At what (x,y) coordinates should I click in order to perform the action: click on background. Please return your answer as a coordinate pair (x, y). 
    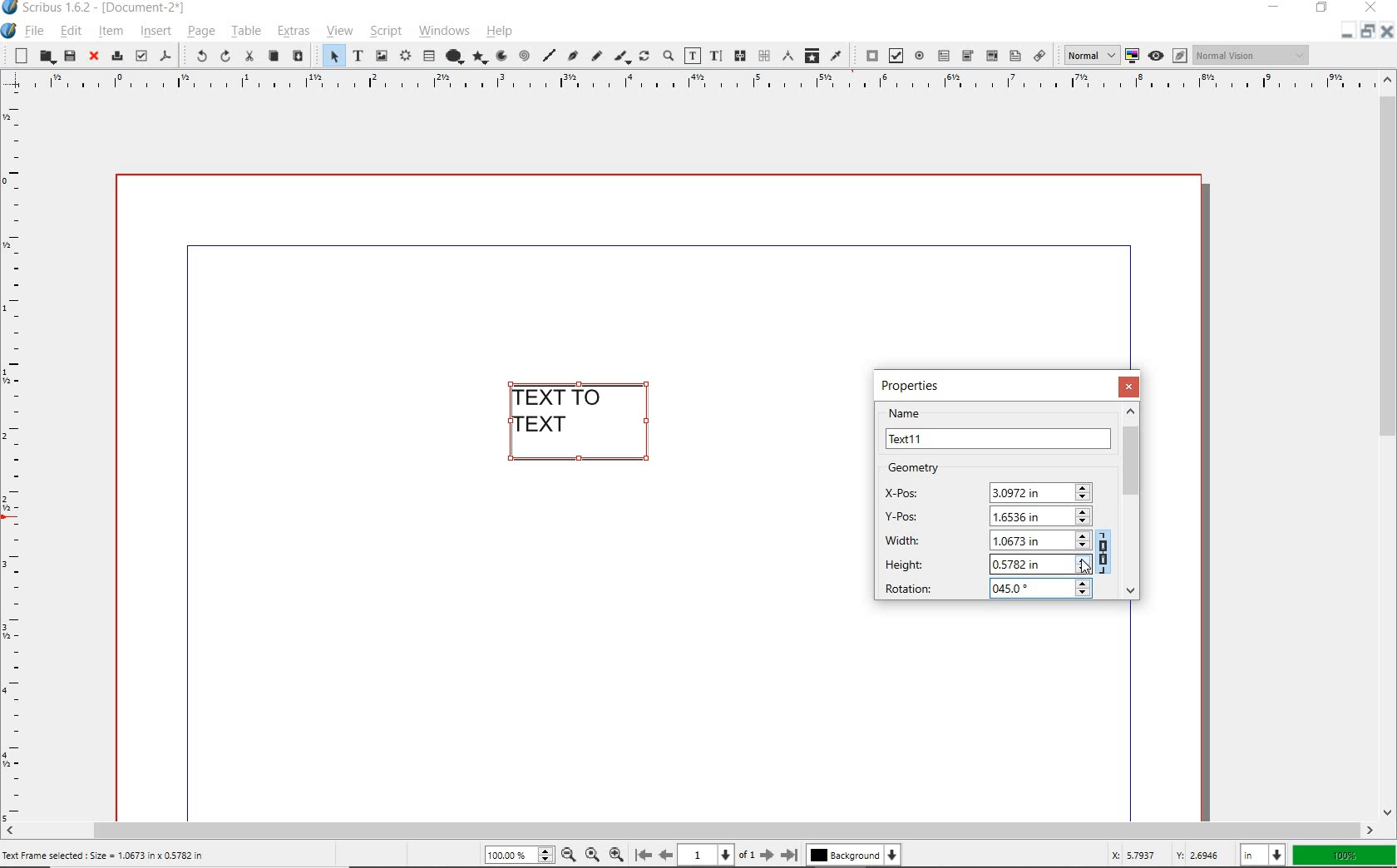
    Looking at the image, I should click on (857, 857).